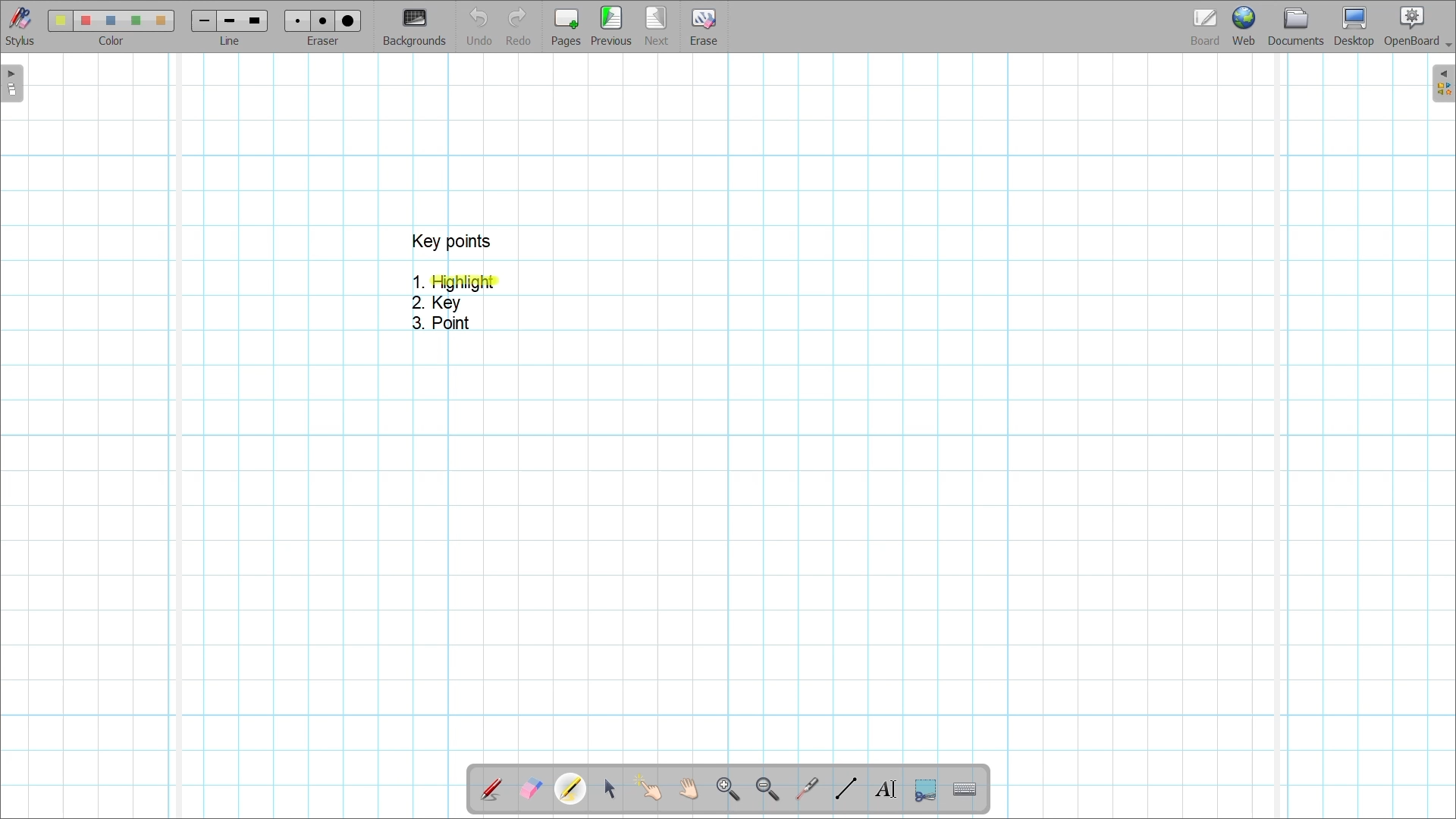  I want to click on eraser 3, so click(349, 20).